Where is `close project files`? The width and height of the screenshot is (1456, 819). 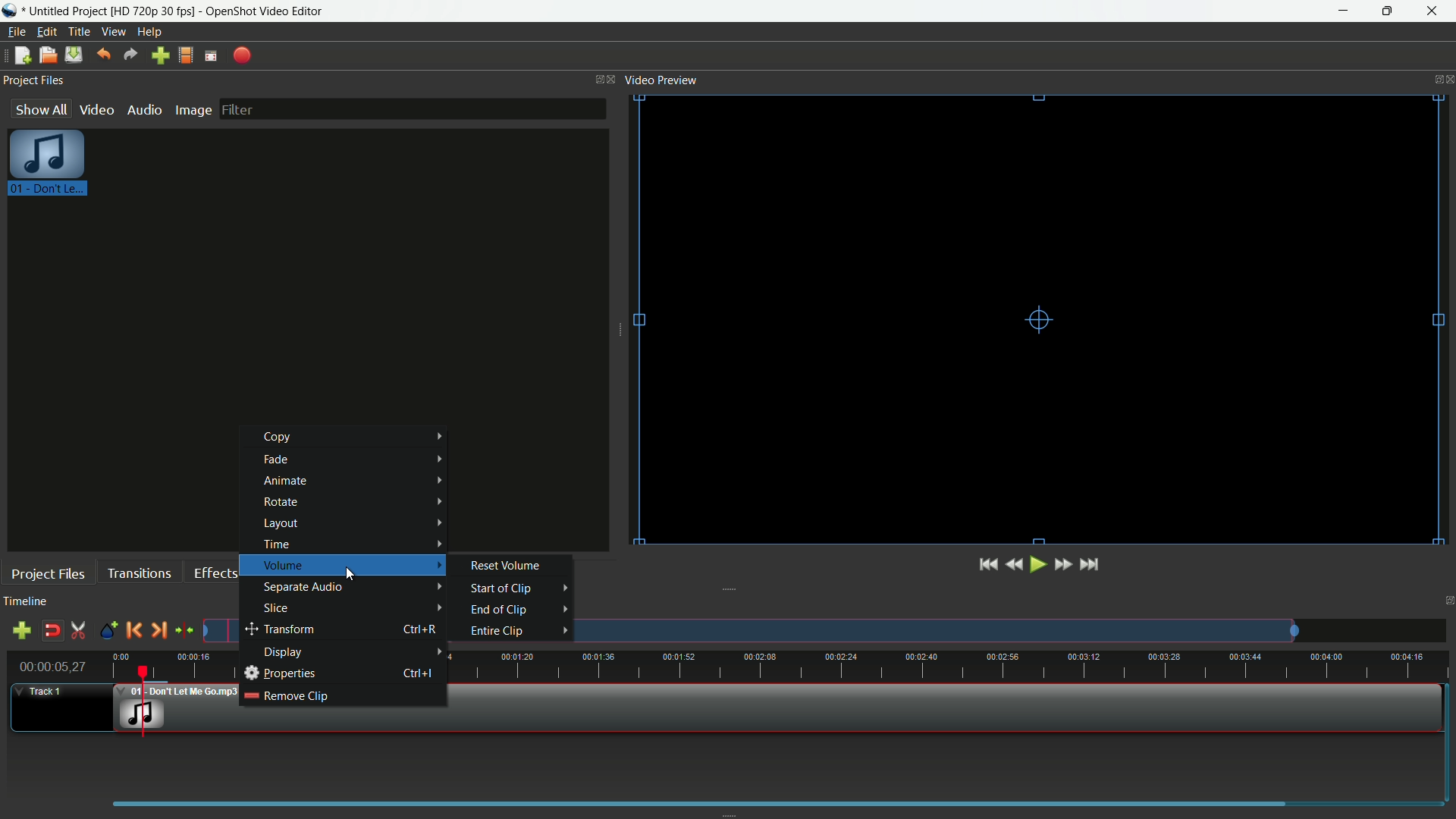 close project files is located at coordinates (613, 78).